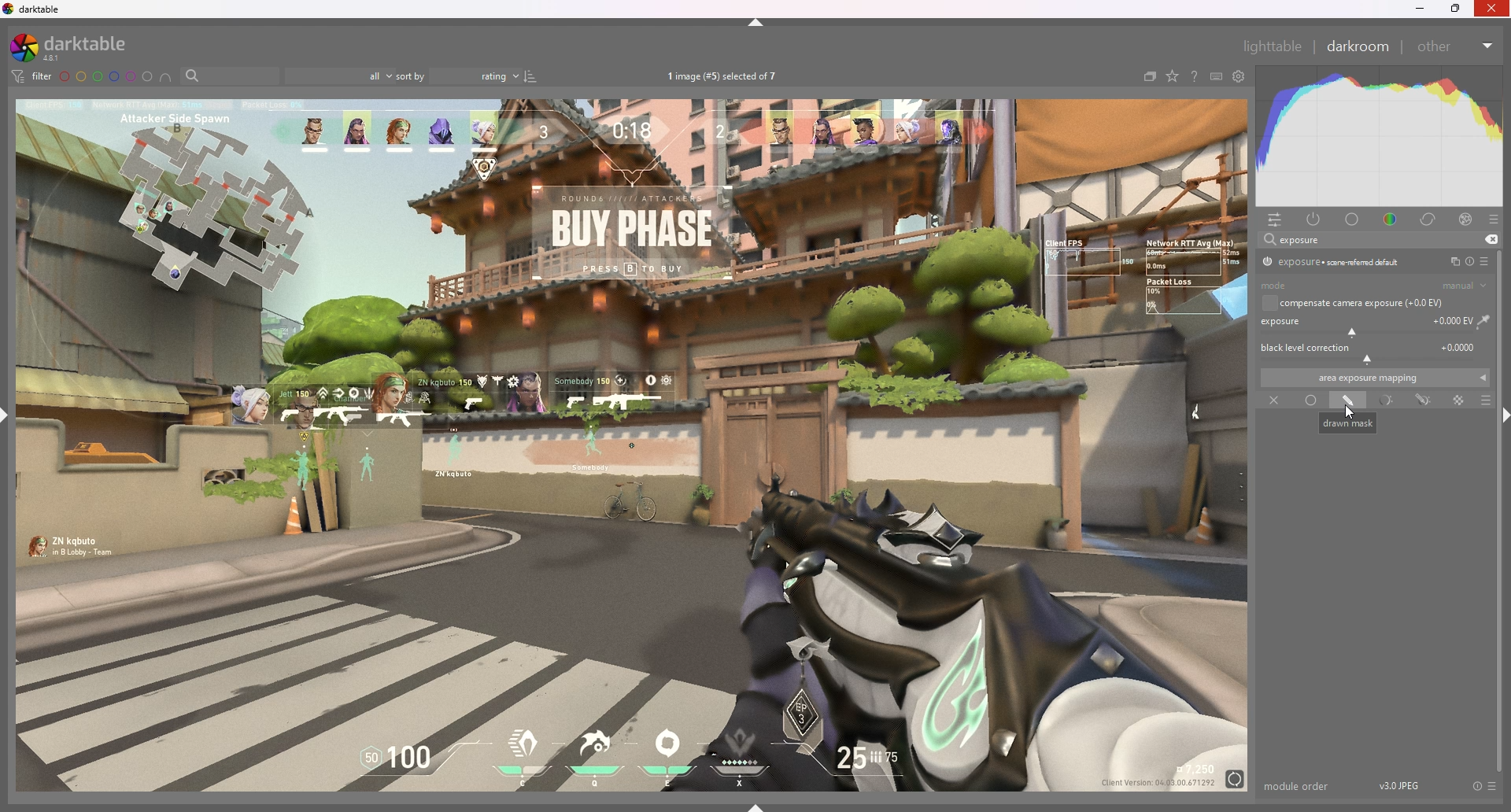  Describe the element at coordinates (1386, 401) in the screenshot. I see `parametric mask` at that location.